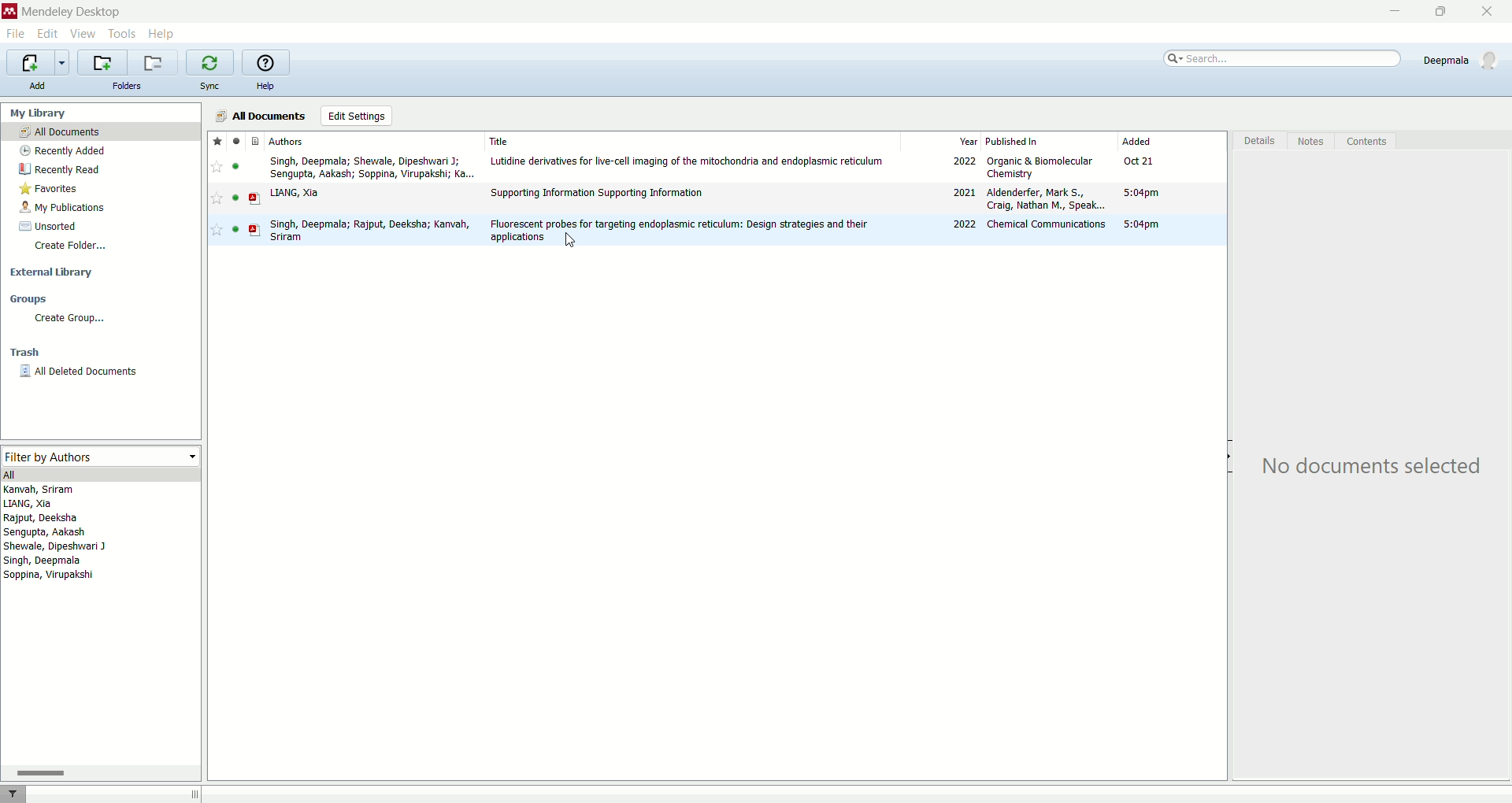 This screenshot has height=803, width=1512. Describe the element at coordinates (235, 200) in the screenshot. I see `read/unread` at that location.